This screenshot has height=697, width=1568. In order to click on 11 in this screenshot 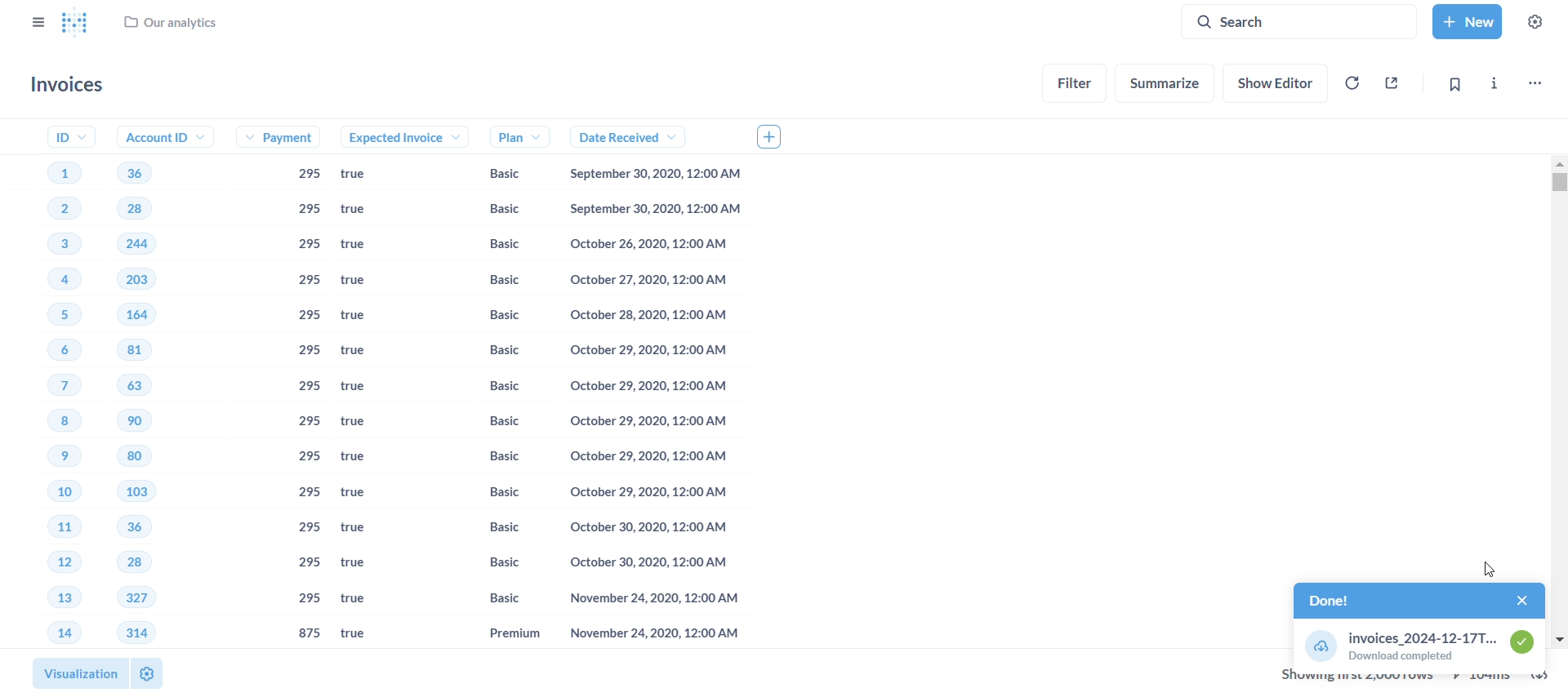, I will do `click(50, 529)`.